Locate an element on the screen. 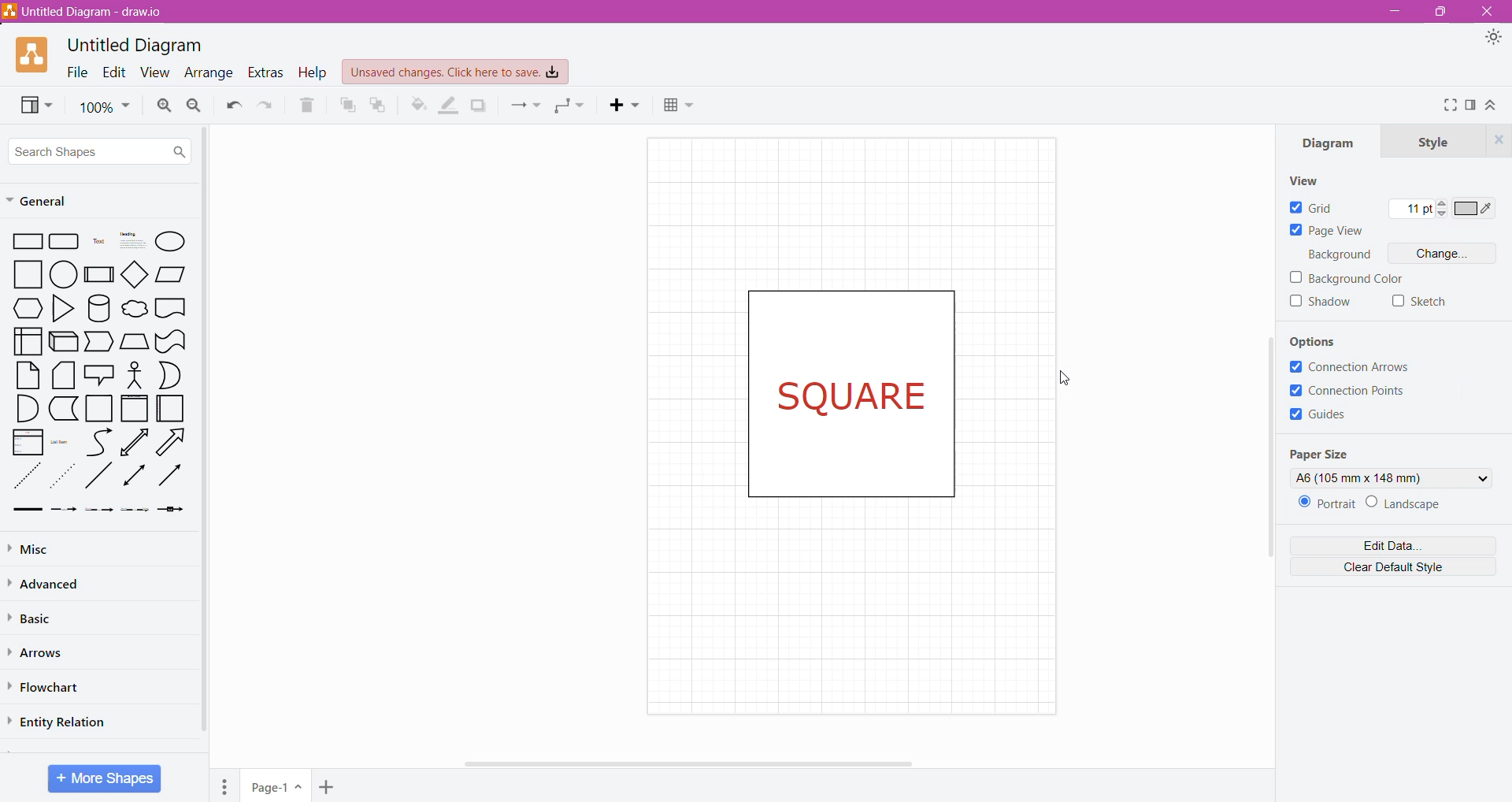 The image size is (1512, 802). Sketch - click to enable/disable is located at coordinates (1420, 302).